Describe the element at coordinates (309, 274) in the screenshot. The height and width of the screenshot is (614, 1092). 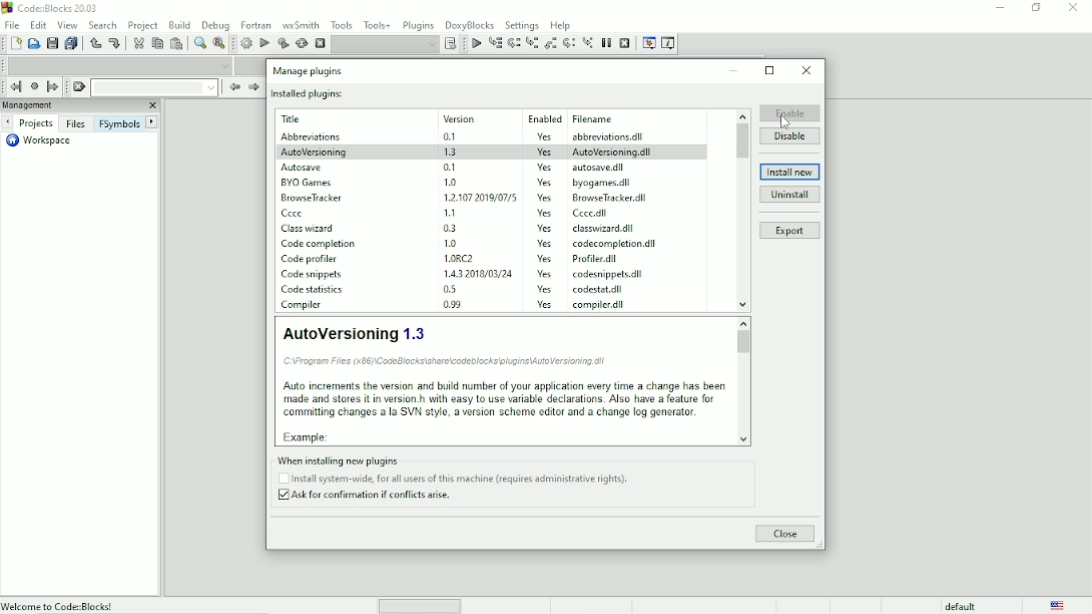
I see `plugin ` at that location.